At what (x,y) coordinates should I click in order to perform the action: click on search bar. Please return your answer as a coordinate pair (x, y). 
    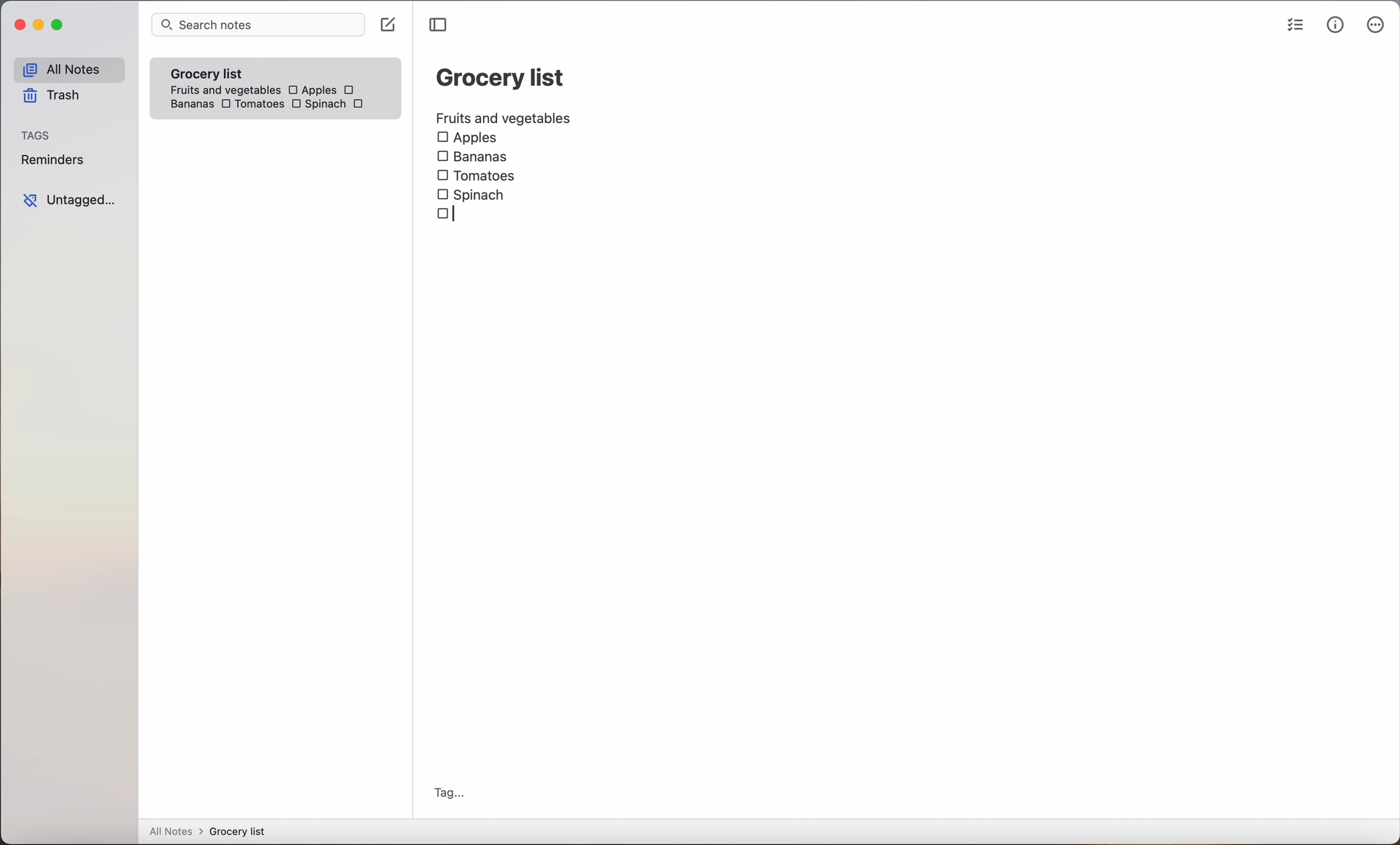
    Looking at the image, I should click on (257, 26).